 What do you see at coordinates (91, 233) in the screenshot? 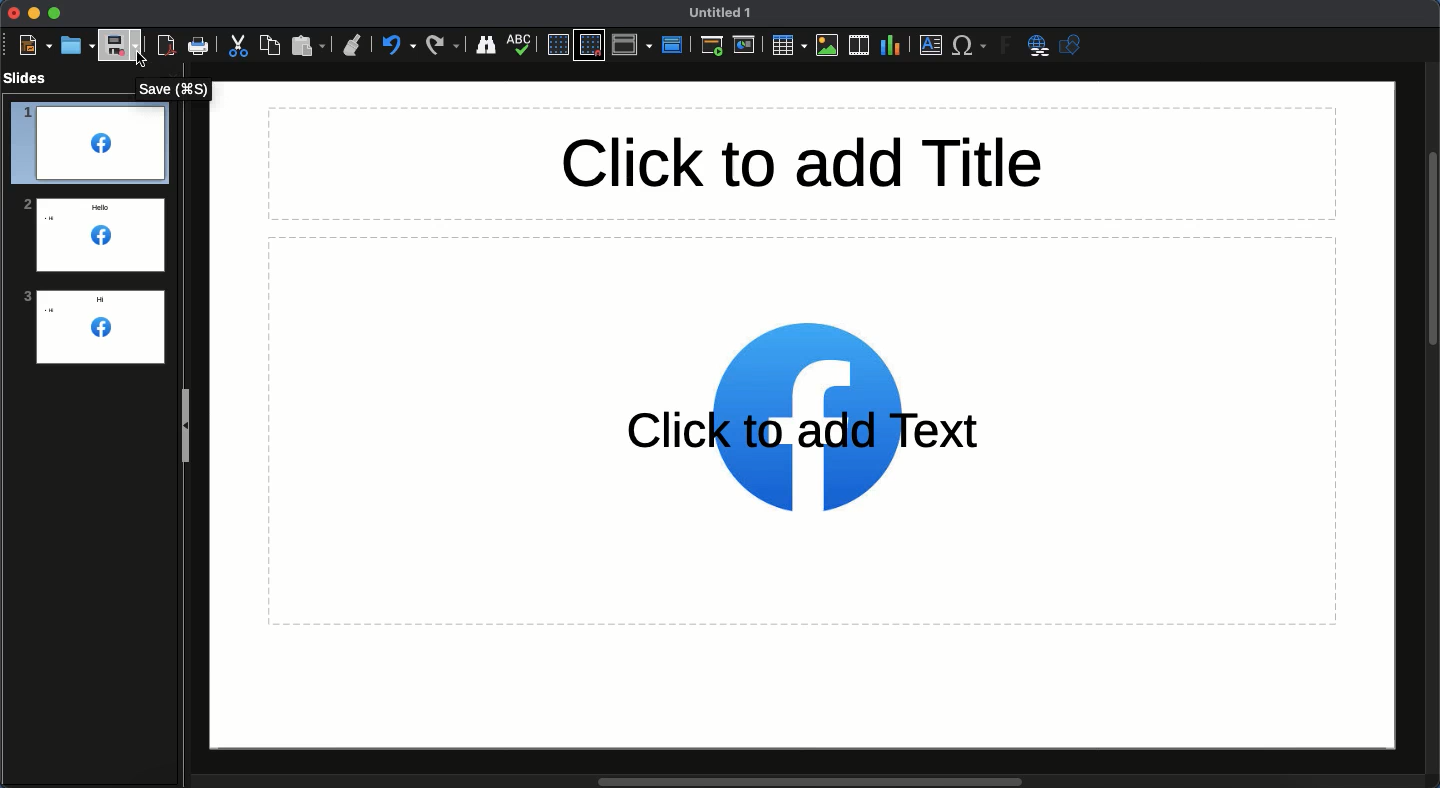
I see `Logo added to all slides` at bounding box center [91, 233].